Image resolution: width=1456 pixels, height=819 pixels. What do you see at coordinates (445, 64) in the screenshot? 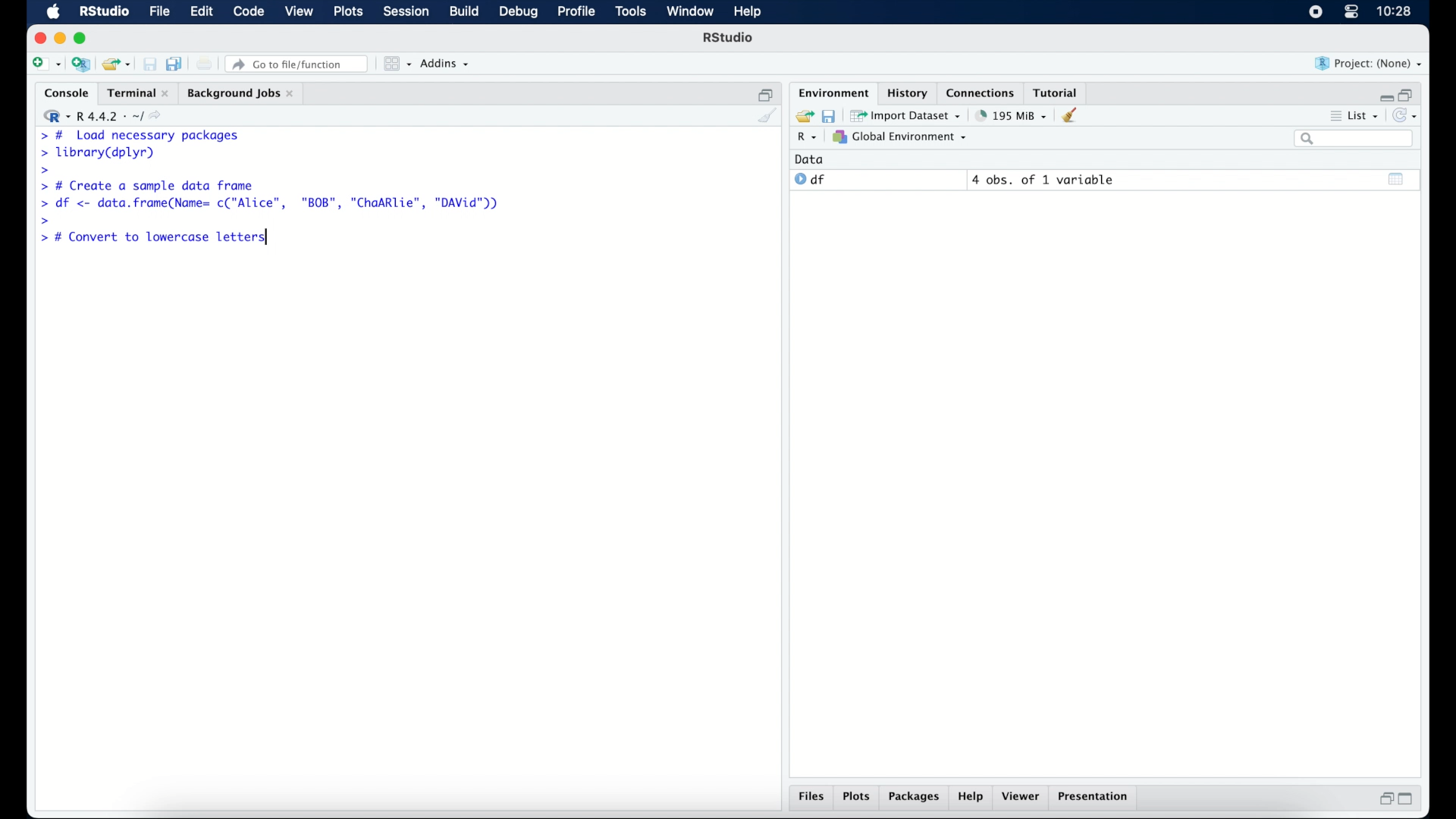
I see `addins` at bounding box center [445, 64].